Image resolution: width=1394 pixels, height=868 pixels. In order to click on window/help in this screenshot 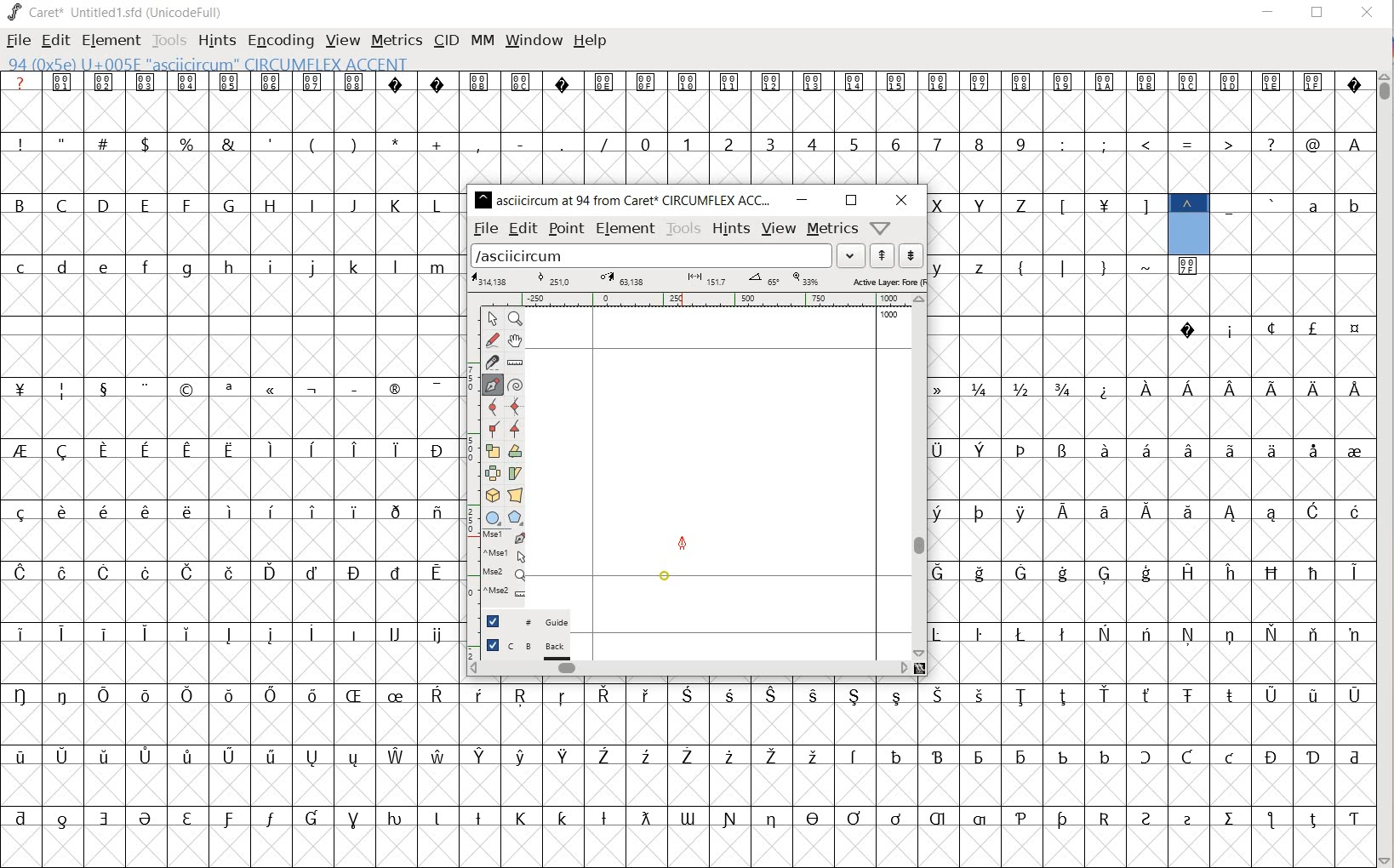, I will do `click(878, 227)`.